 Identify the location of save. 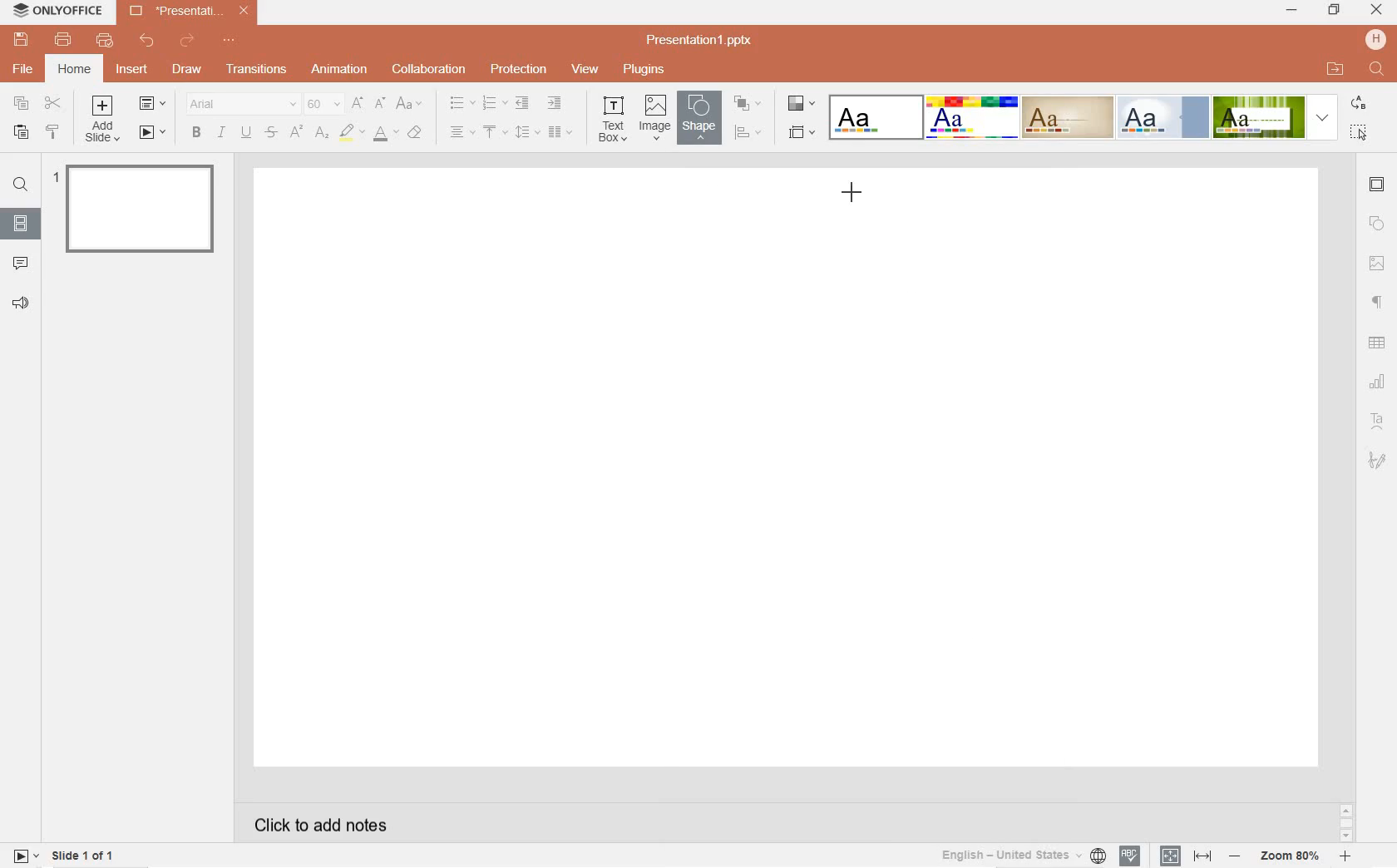
(21, 40).